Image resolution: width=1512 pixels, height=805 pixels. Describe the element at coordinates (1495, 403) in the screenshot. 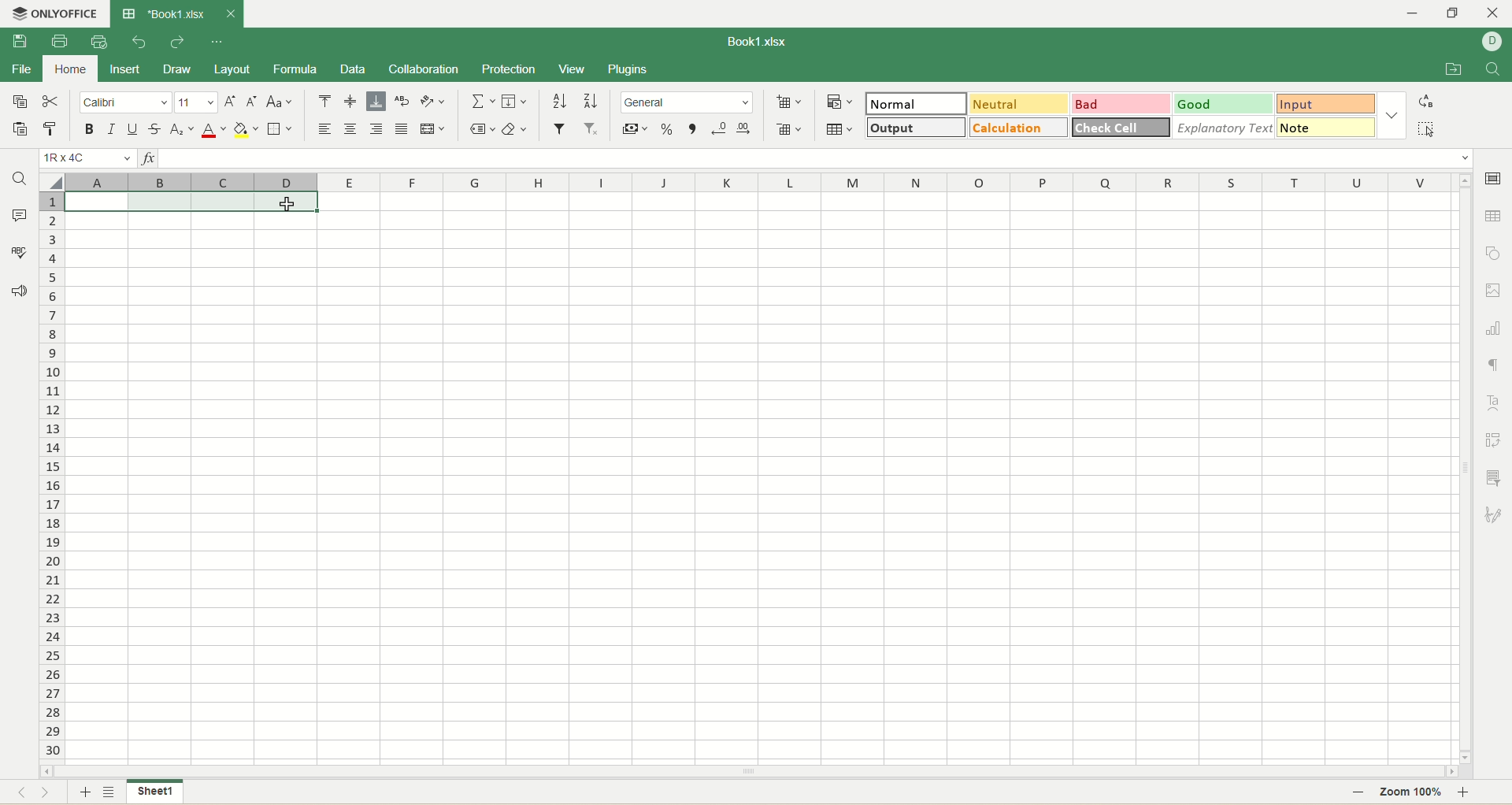

I see `text art settings` at that location.